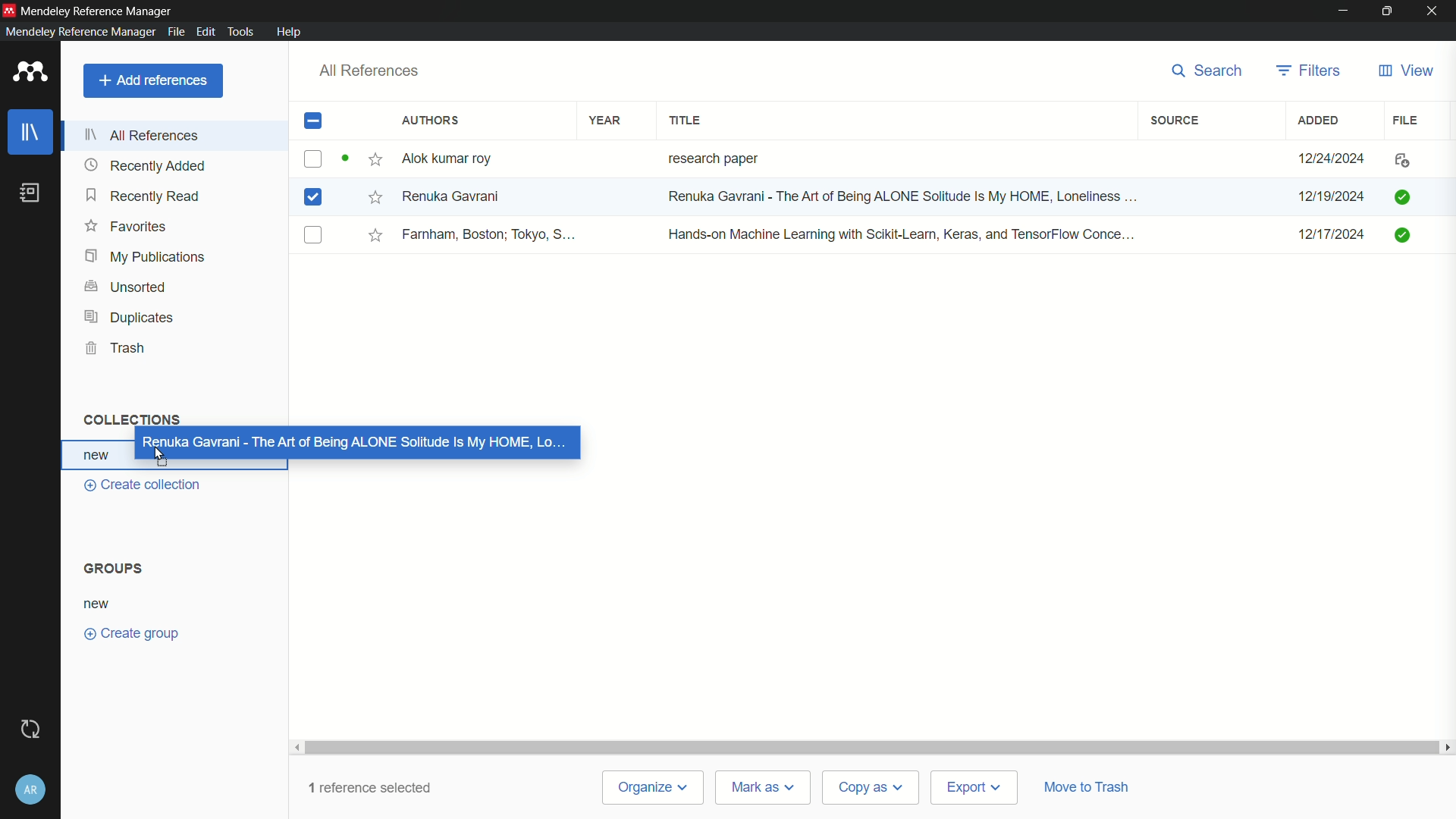 The image size is (1456, 819). Describe the element at coordinates (165, 457) in the screenshot. I see `cursor` at that location.